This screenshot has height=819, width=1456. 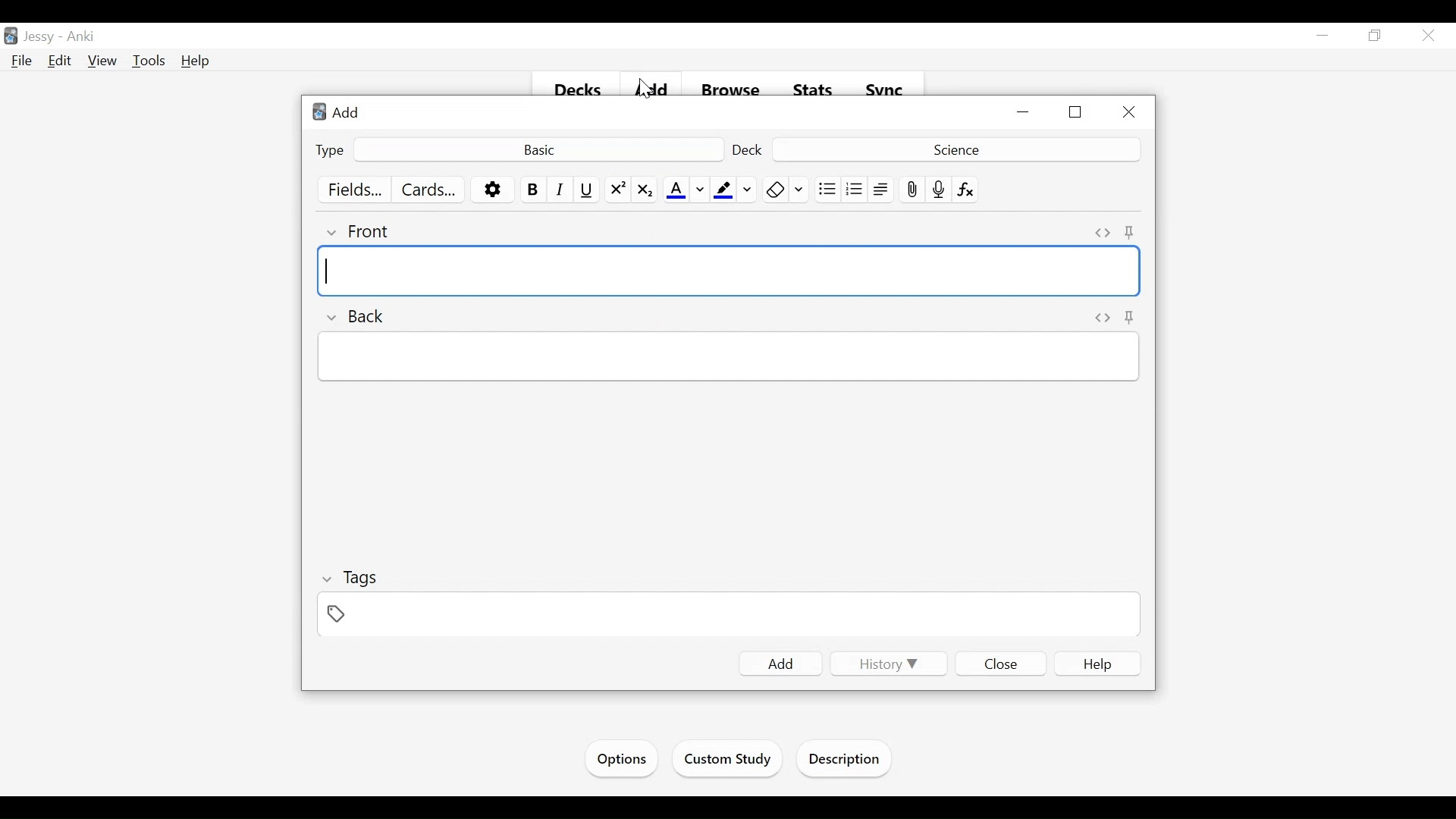 What do you see at coordinates (340, 111) in the screenshot?
I see `Add` at bounding box center [340, 111].